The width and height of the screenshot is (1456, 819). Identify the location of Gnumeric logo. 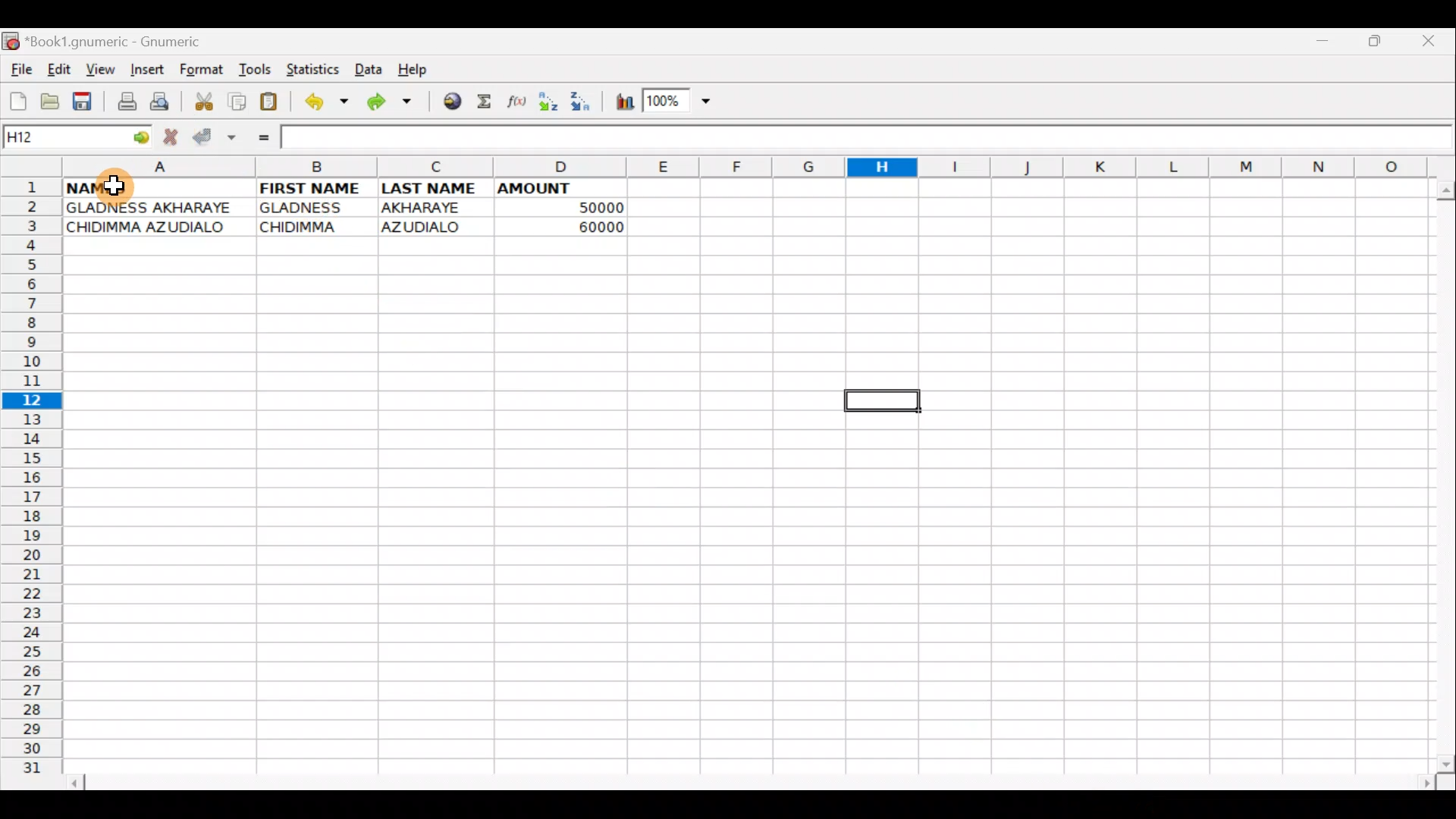
(12, 42).